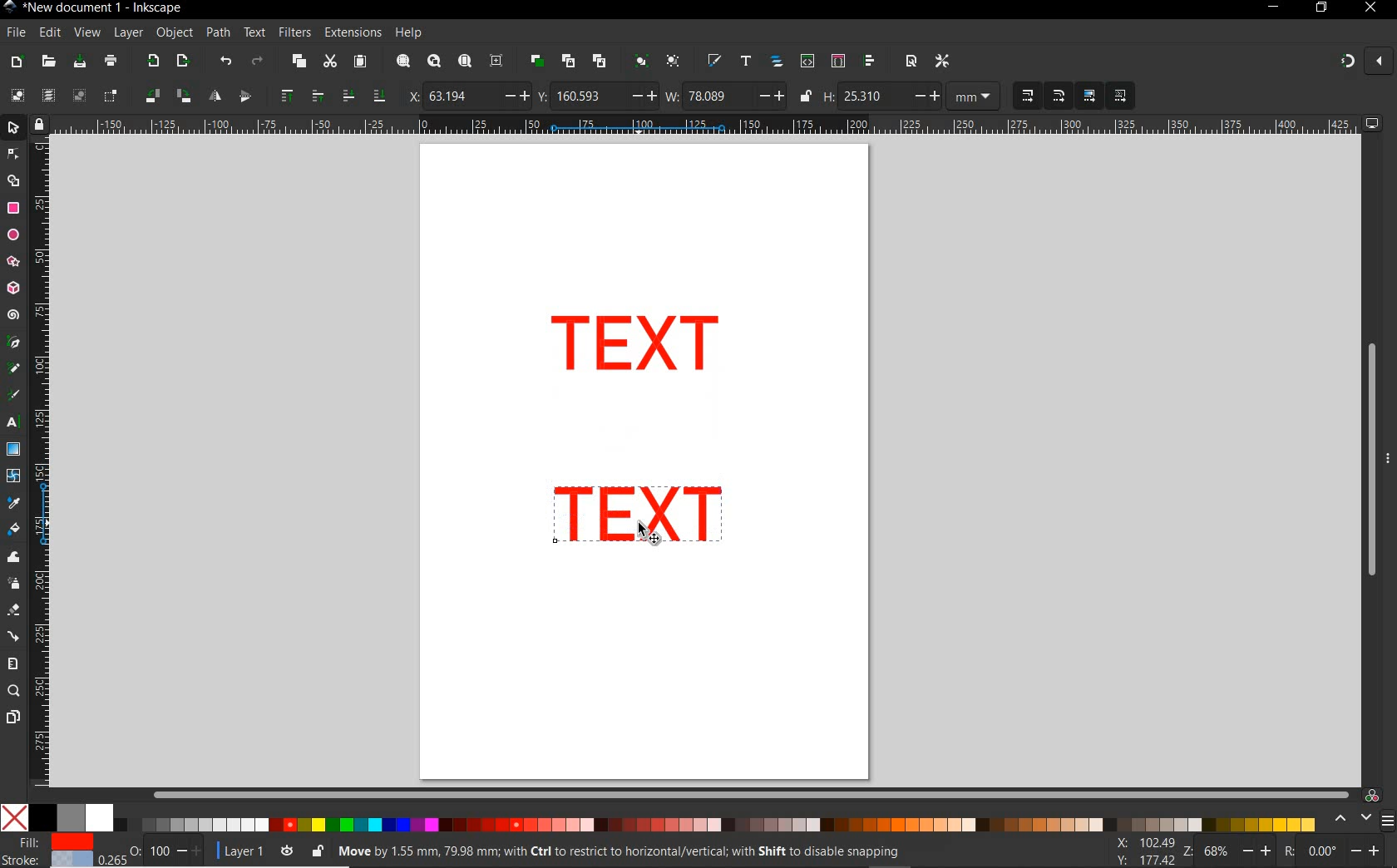  Describe the element at coordinates (659, 819) in the screenshot. I see `color palette` at that location.